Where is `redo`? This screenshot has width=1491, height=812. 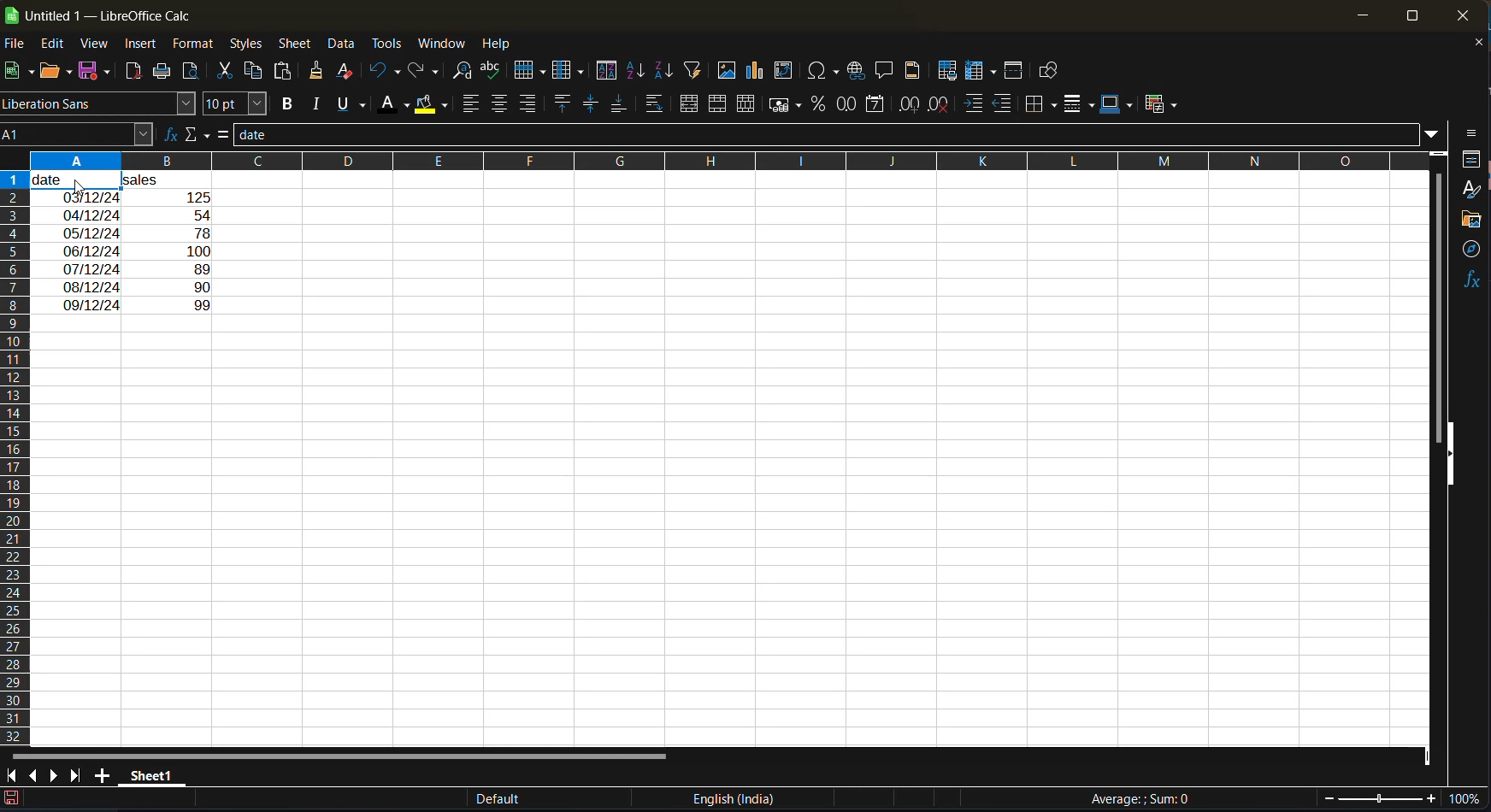 redo is located at coordinates (421, 71).